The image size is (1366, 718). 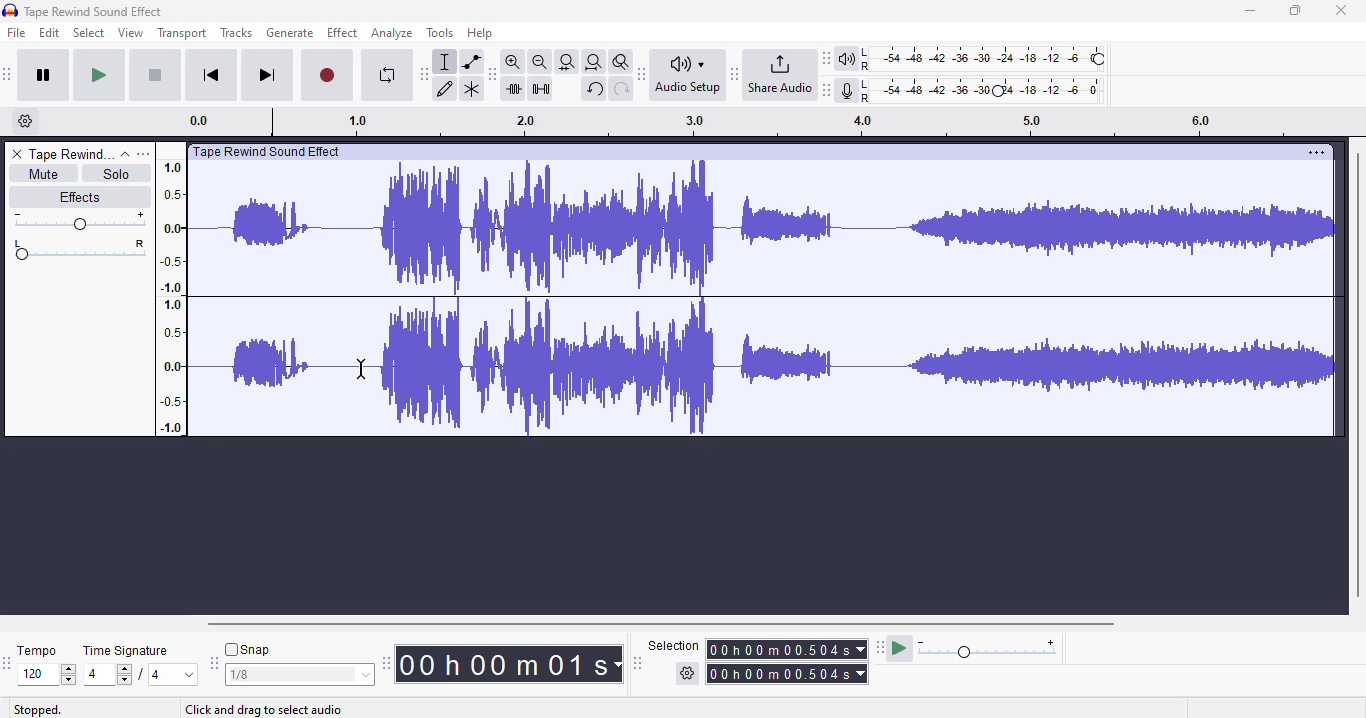 What do you see at coordinates (170, 296) in the screenshot?
I see `timeline` at bounding box center [170, 296].